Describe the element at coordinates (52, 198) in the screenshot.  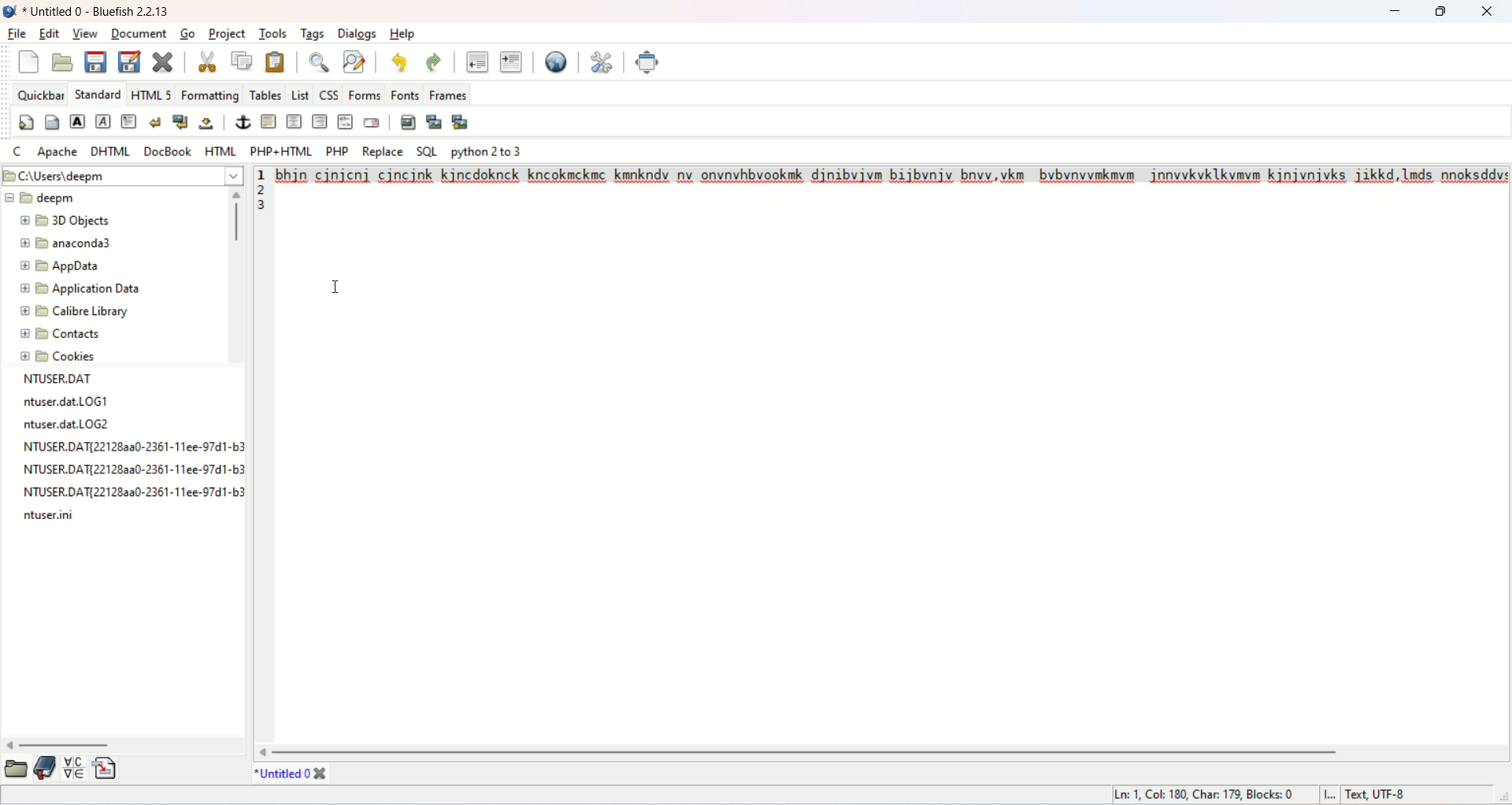
I see `deepm` at that location.